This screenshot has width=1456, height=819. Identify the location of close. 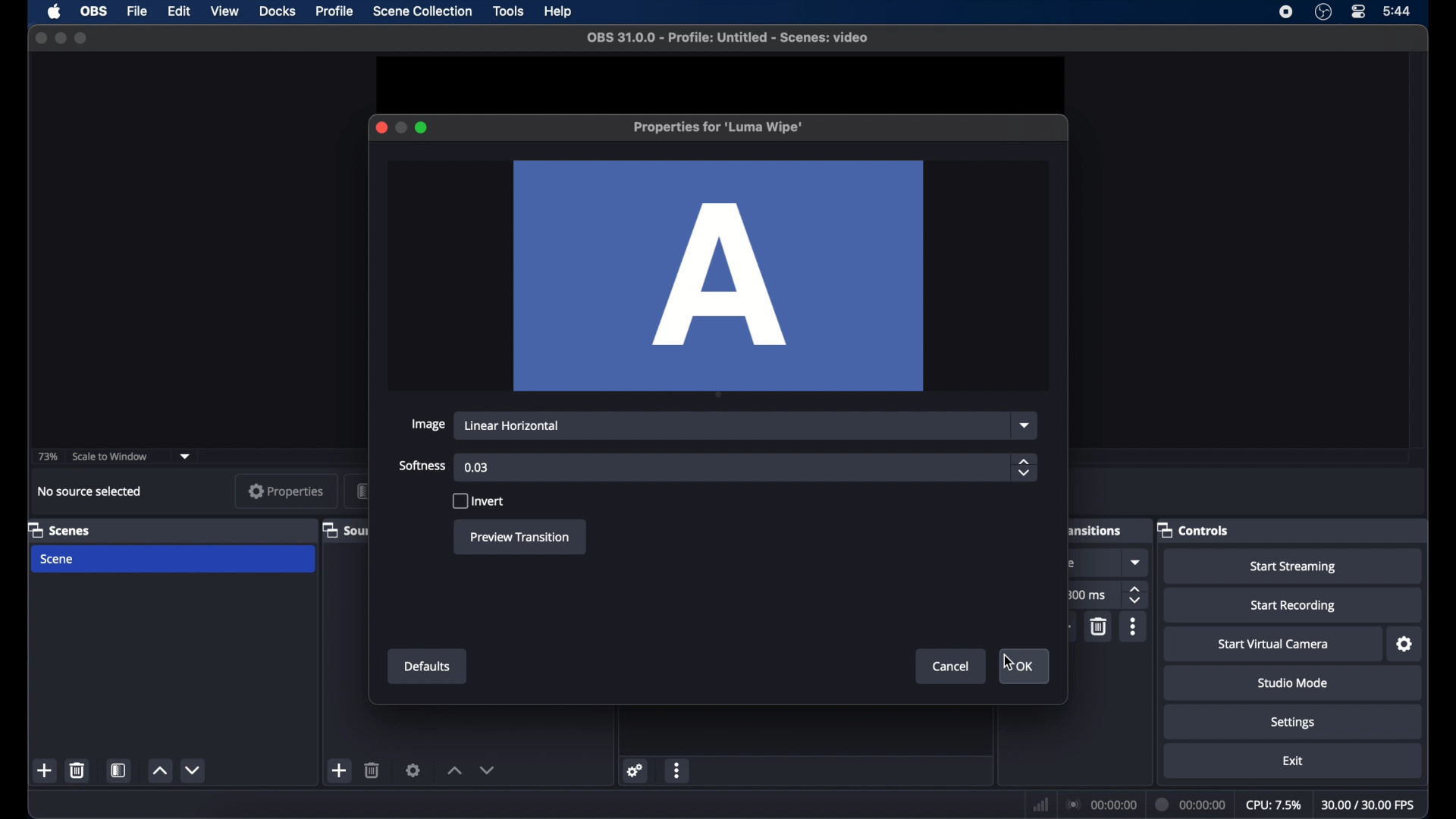
(40, 37).